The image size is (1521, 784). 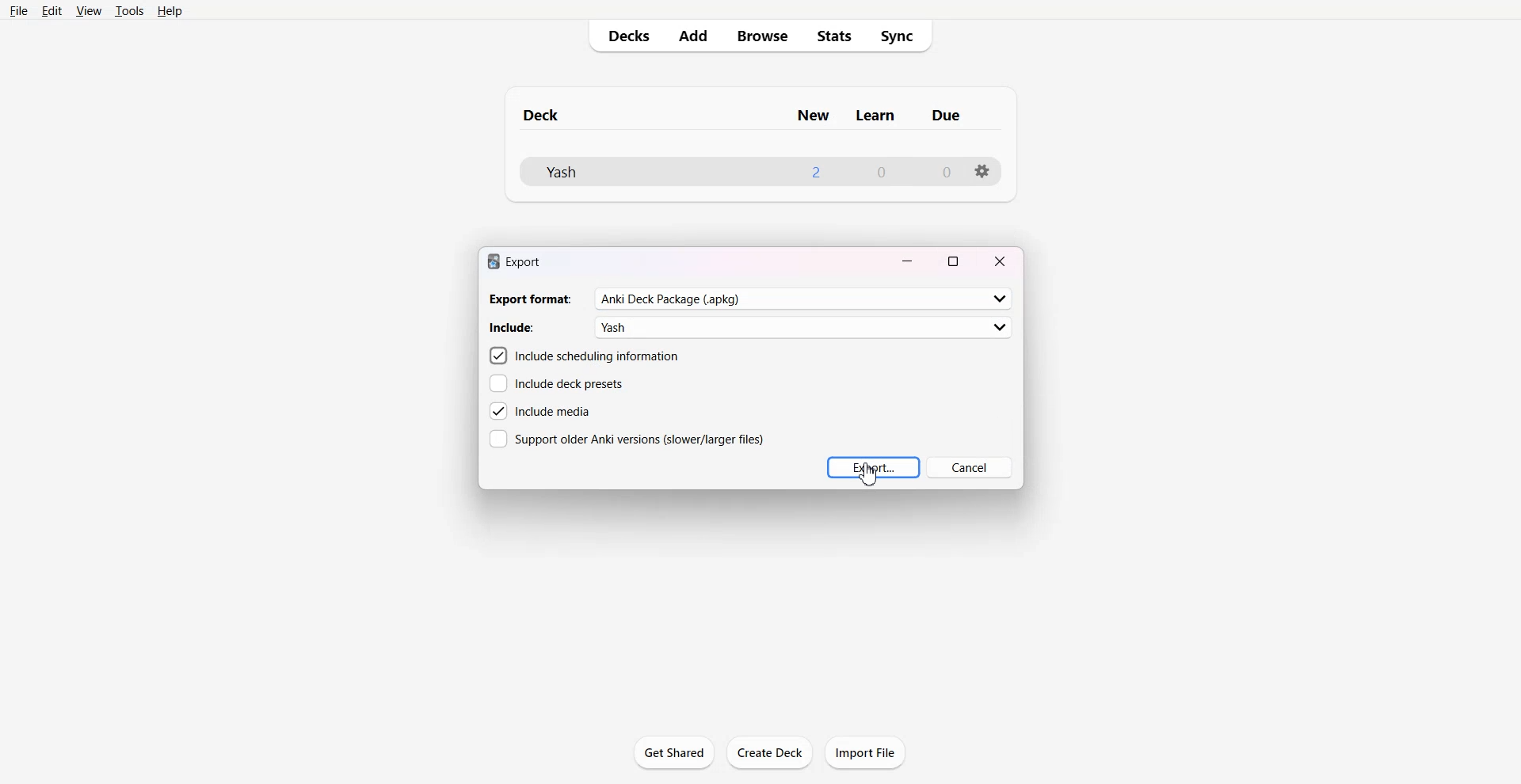 I want to click on View, so click(x=89, y=12).